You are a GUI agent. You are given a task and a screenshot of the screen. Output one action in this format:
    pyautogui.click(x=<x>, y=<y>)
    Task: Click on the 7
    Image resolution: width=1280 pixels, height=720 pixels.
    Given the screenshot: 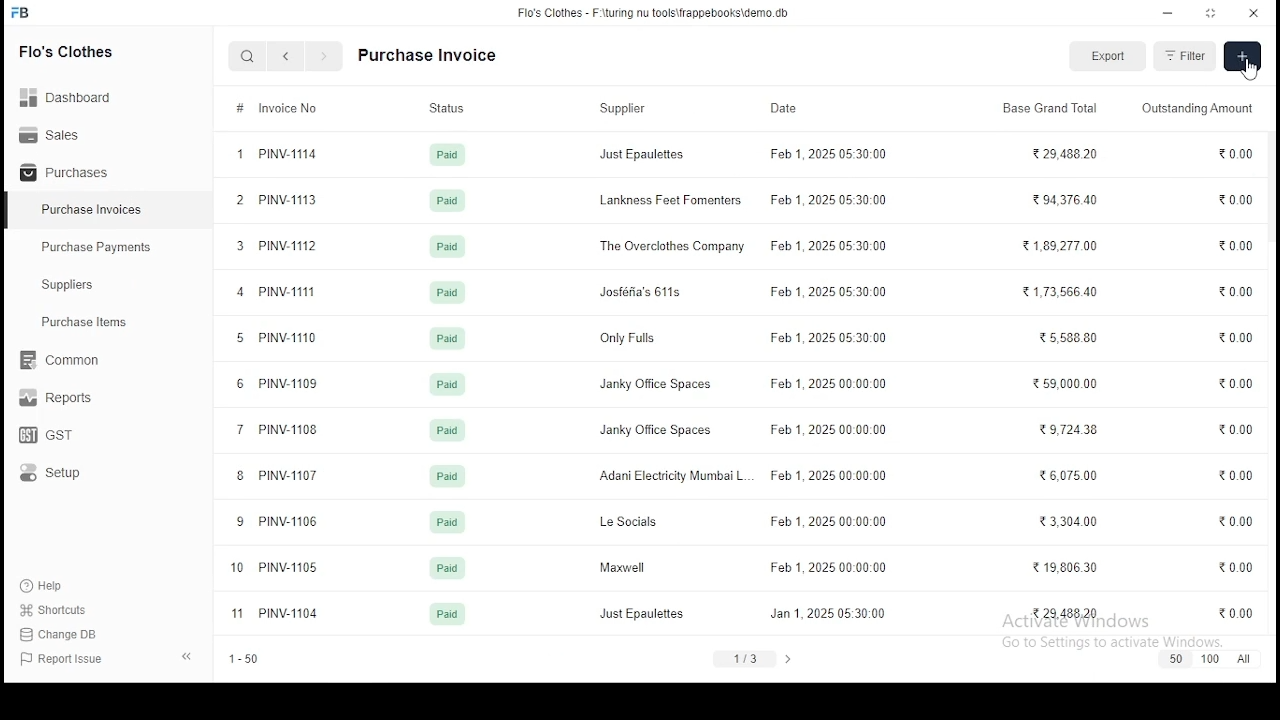 What is the action you would take?
    pyautogui.click(x=242, y=429)
    